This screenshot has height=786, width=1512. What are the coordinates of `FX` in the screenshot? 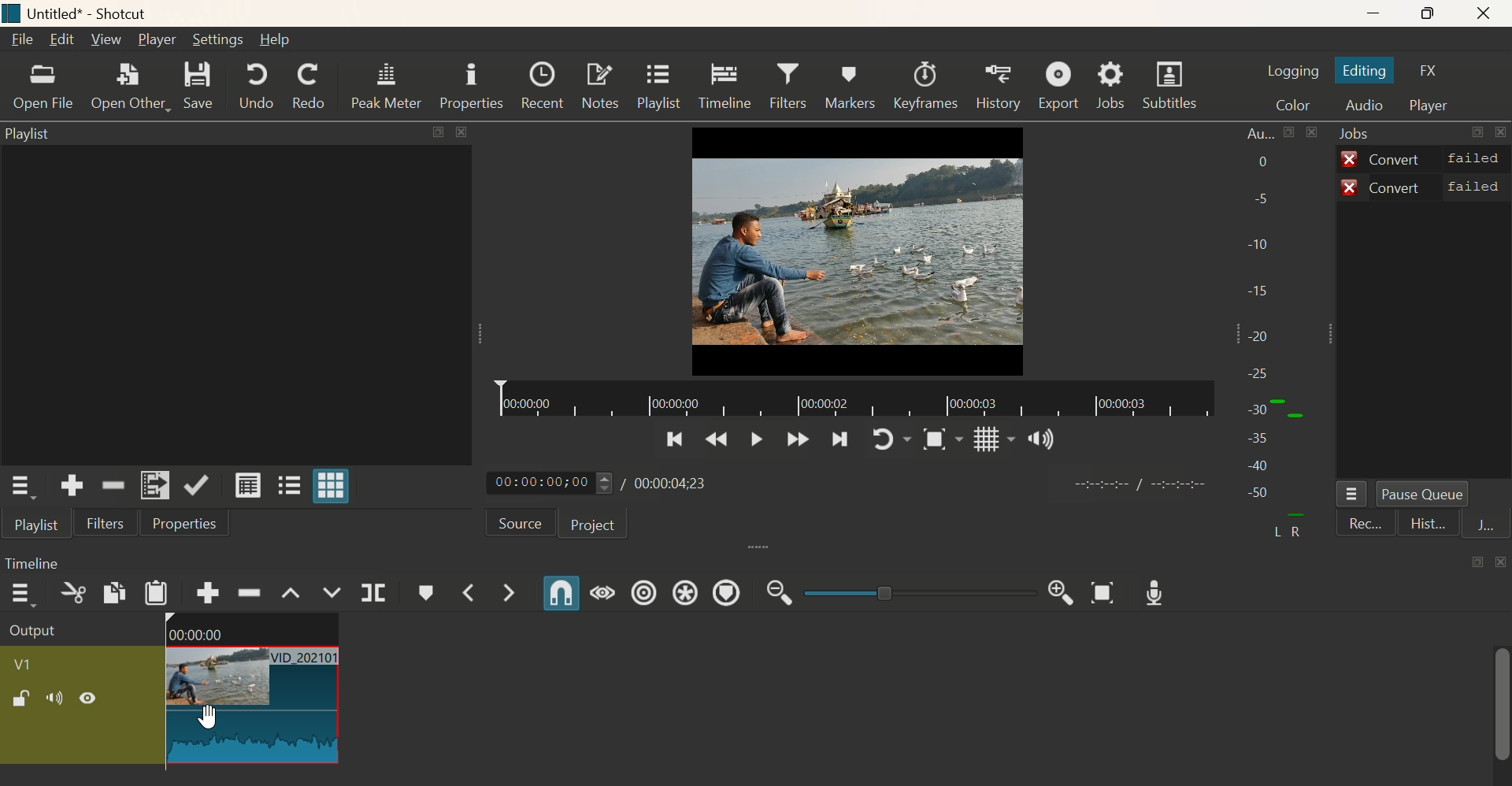 It's located at (1434, 71).